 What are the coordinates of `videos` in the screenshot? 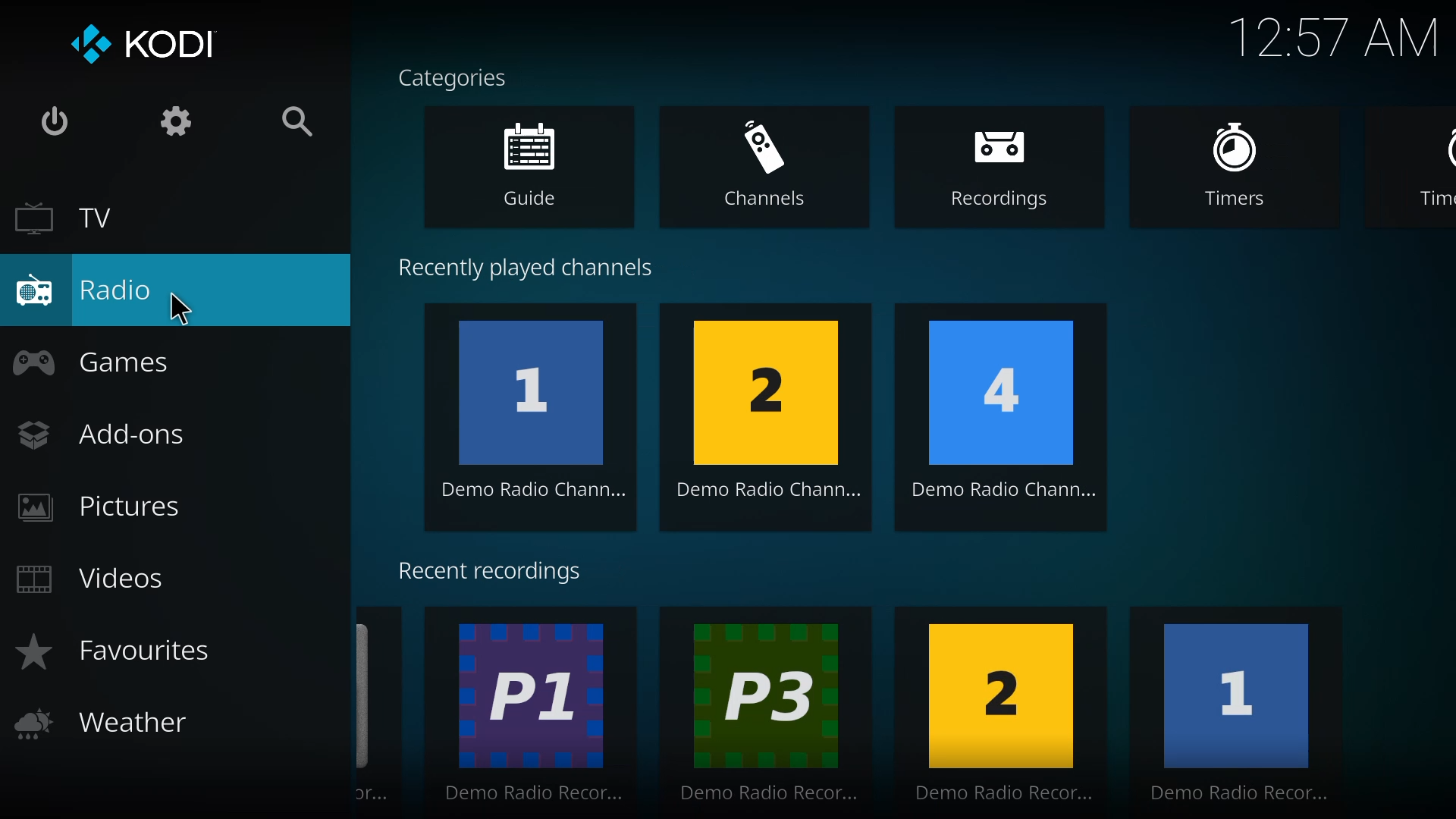 It's located at (92, 581).